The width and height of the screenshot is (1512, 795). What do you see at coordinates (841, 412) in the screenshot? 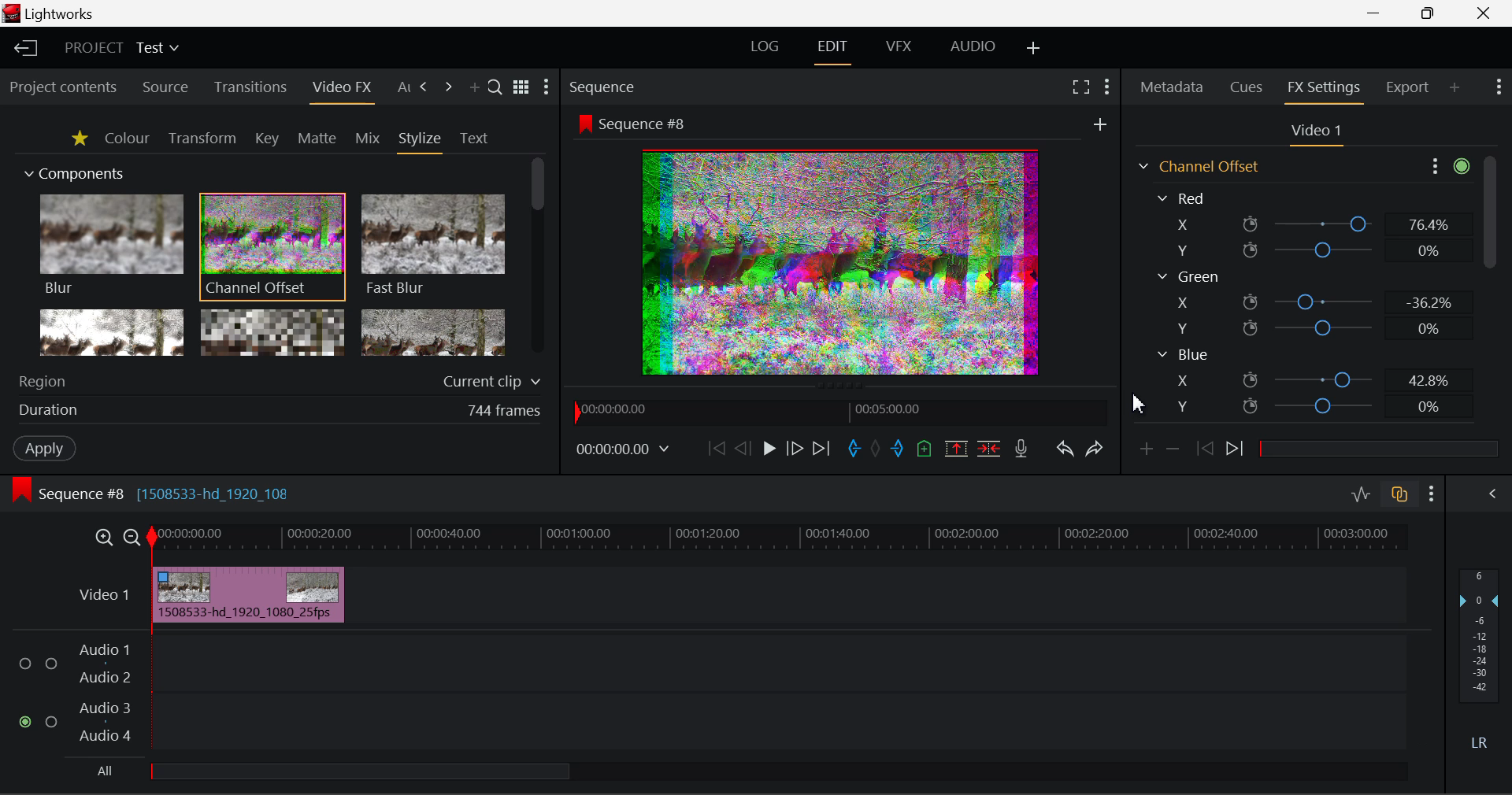
I see `Project Timeline Navigator` at bounding box center [841, 412].